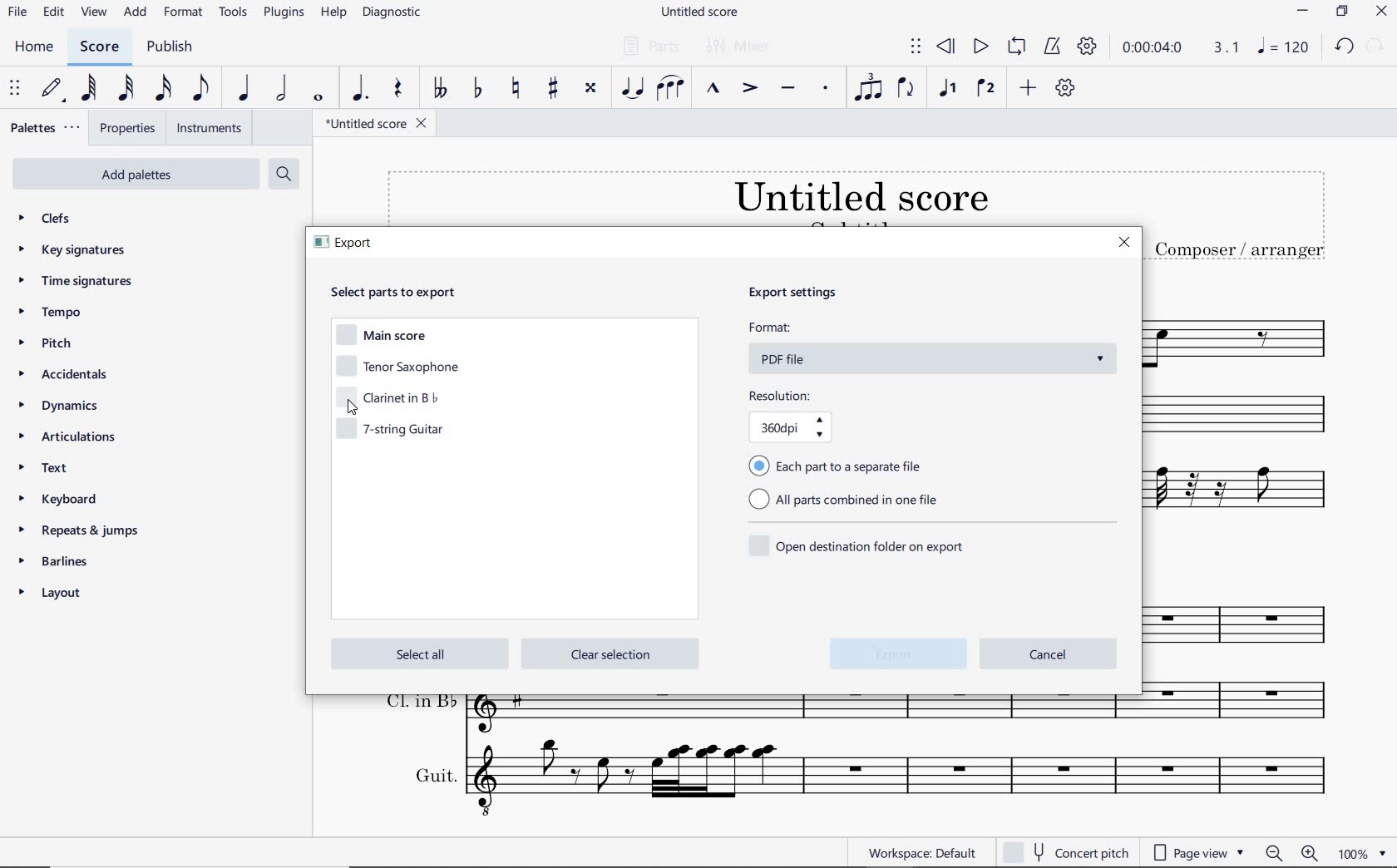 The image size is (1397, 868). Describe the element at coordinates (1181, 48) in the screenshot. I see `PLAY TIME` at that location.